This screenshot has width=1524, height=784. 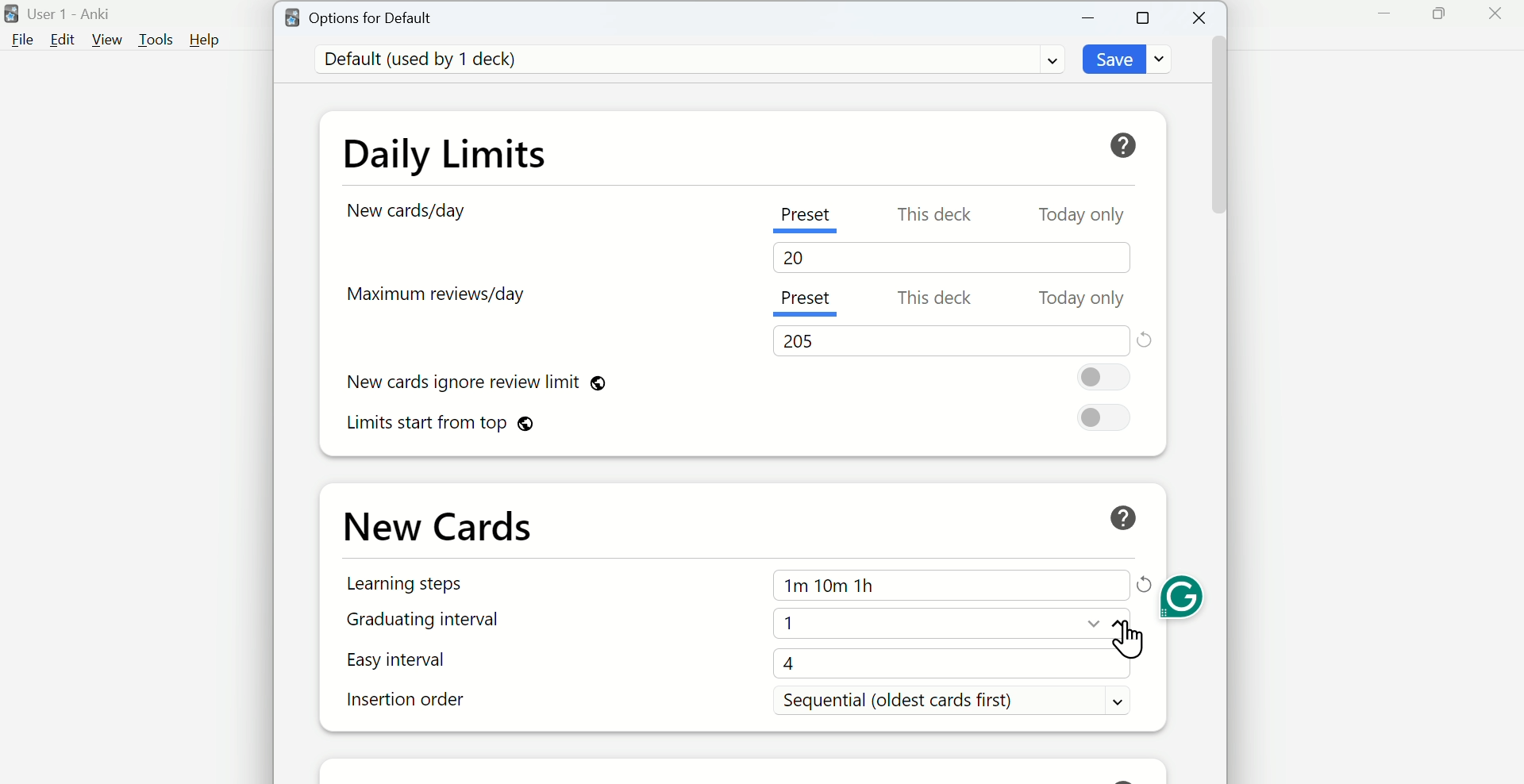 I want to click on Edit, so click(x=61, y=42).